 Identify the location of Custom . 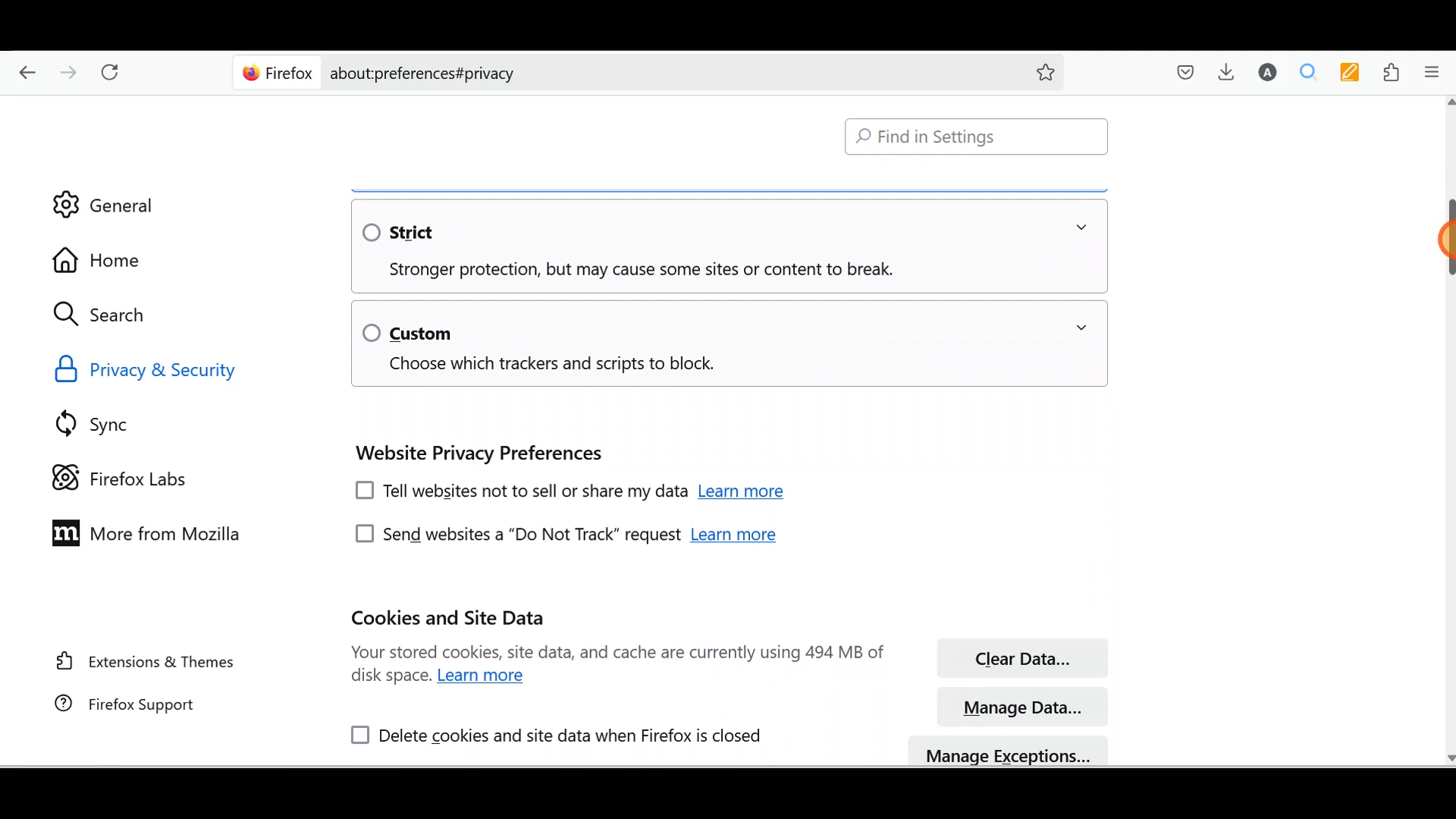
(408, 331).